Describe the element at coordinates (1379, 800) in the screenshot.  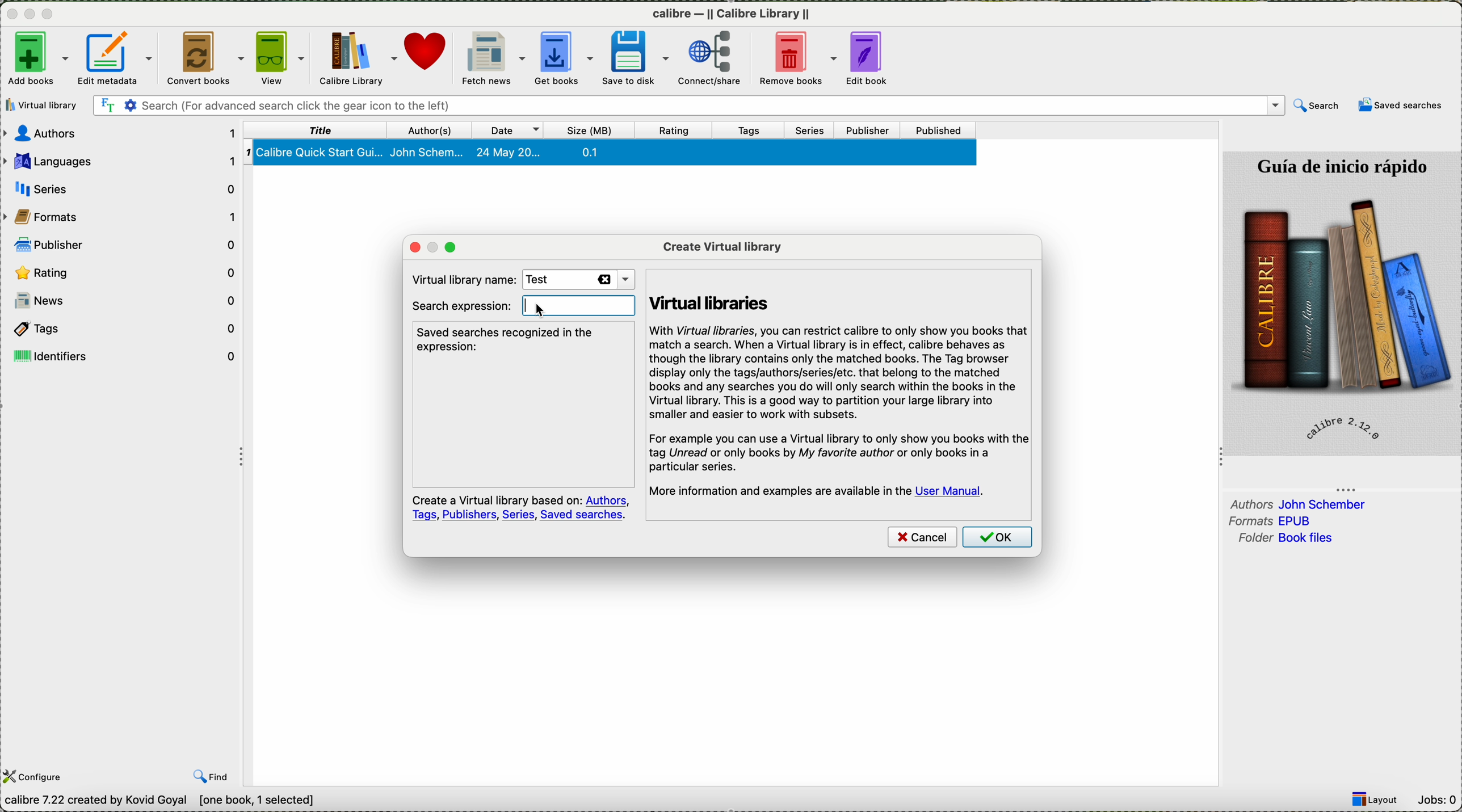
I see `layout` at that location.